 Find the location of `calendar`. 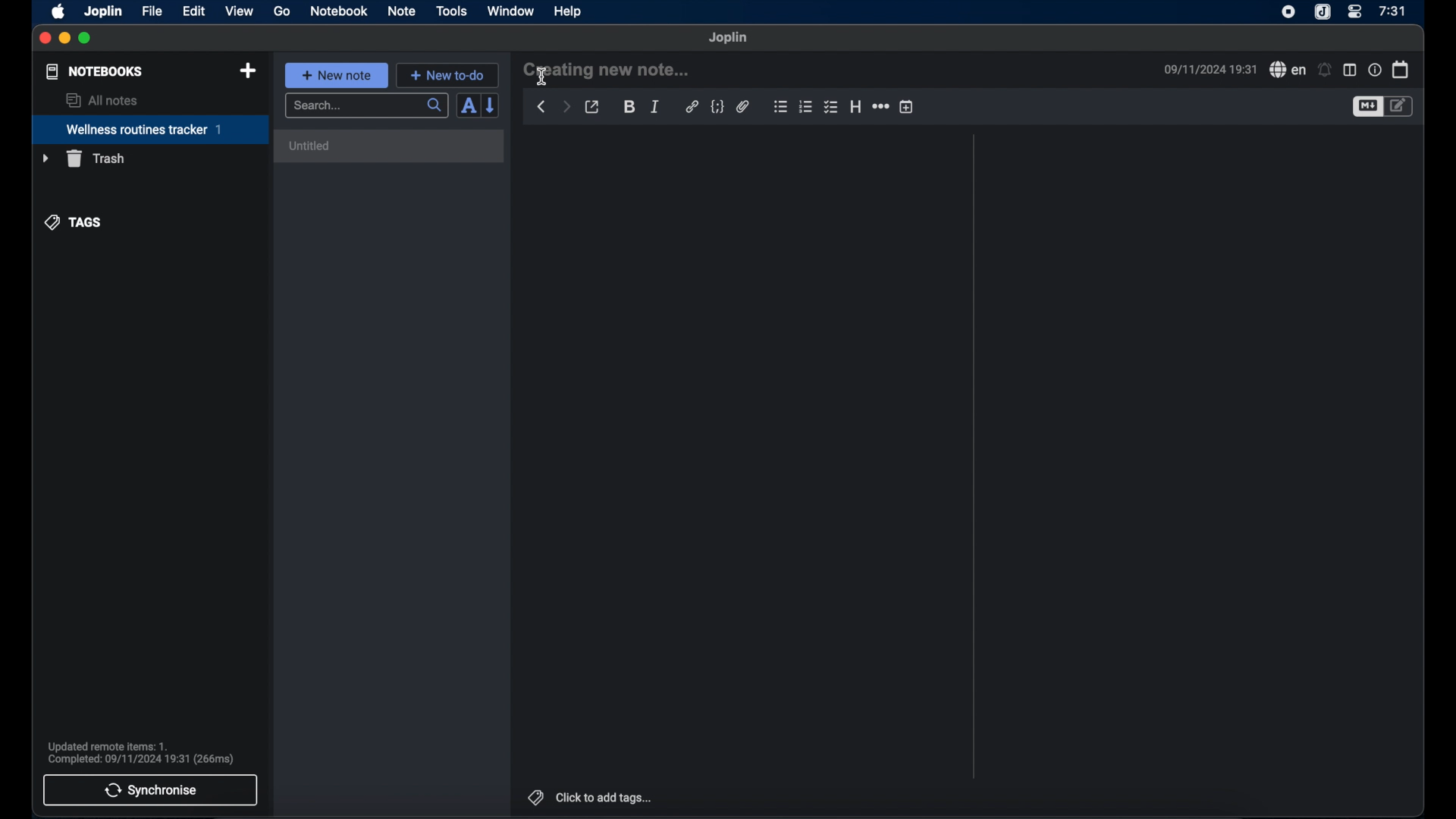

calendar is located at coordinates (1401, 69).